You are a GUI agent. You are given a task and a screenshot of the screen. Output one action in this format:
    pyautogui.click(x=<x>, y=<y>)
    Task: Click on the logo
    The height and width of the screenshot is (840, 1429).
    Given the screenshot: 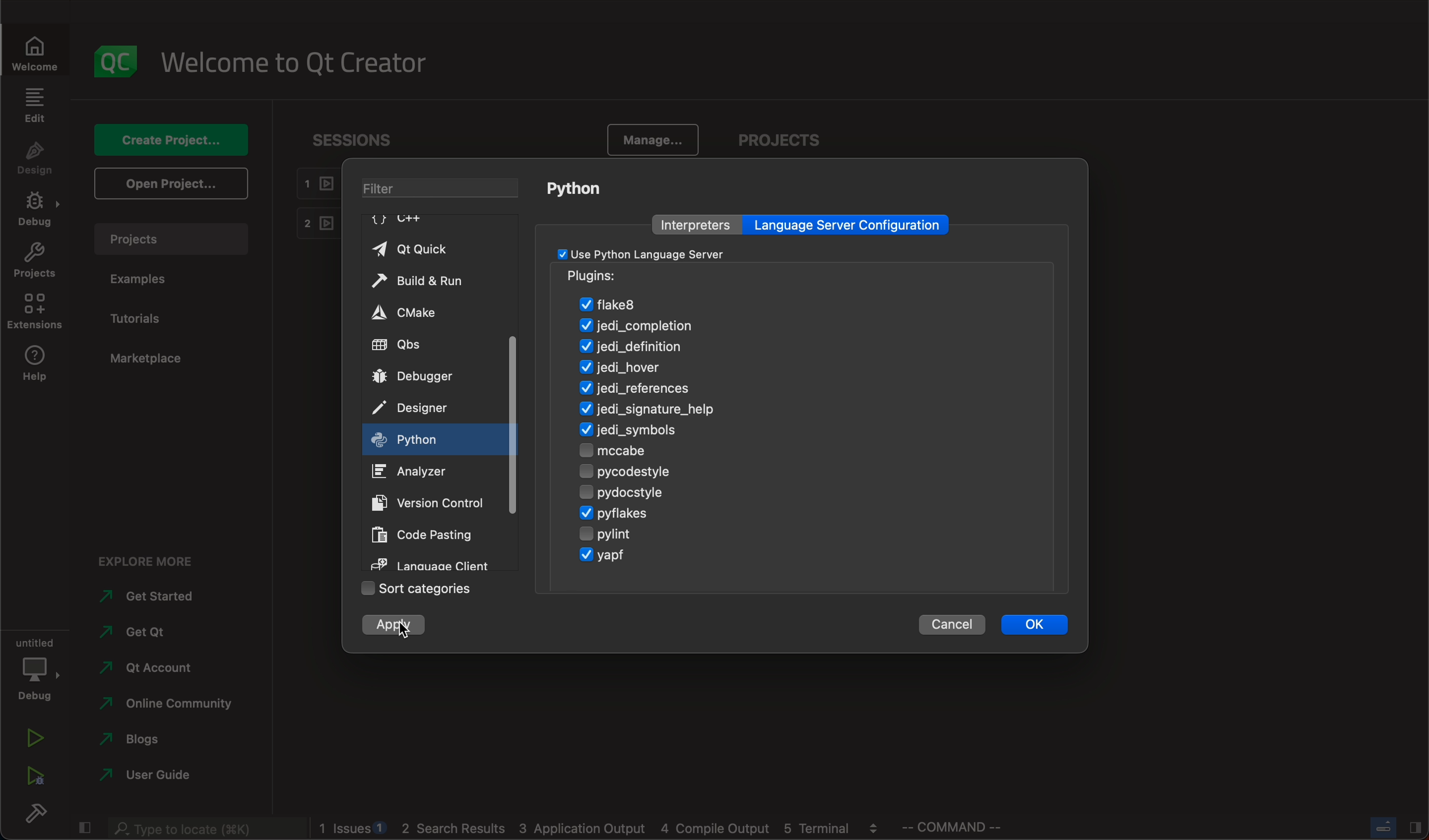 What is the action you would take?
    pyautogui.click(x=111, y=62)
    